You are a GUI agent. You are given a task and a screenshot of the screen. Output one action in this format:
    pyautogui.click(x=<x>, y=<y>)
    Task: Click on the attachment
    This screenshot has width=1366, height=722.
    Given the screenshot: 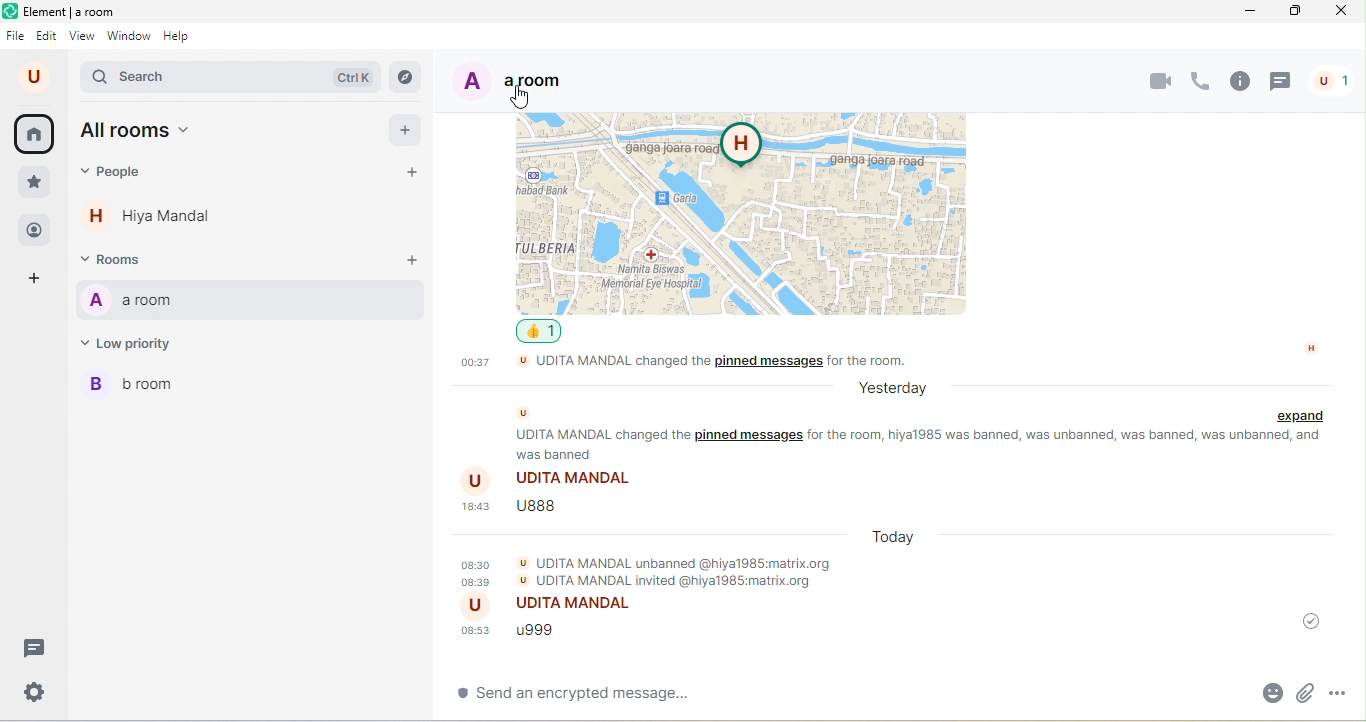 What is the action you would take?
    pyautogui.click(x=1306, y=696)
    